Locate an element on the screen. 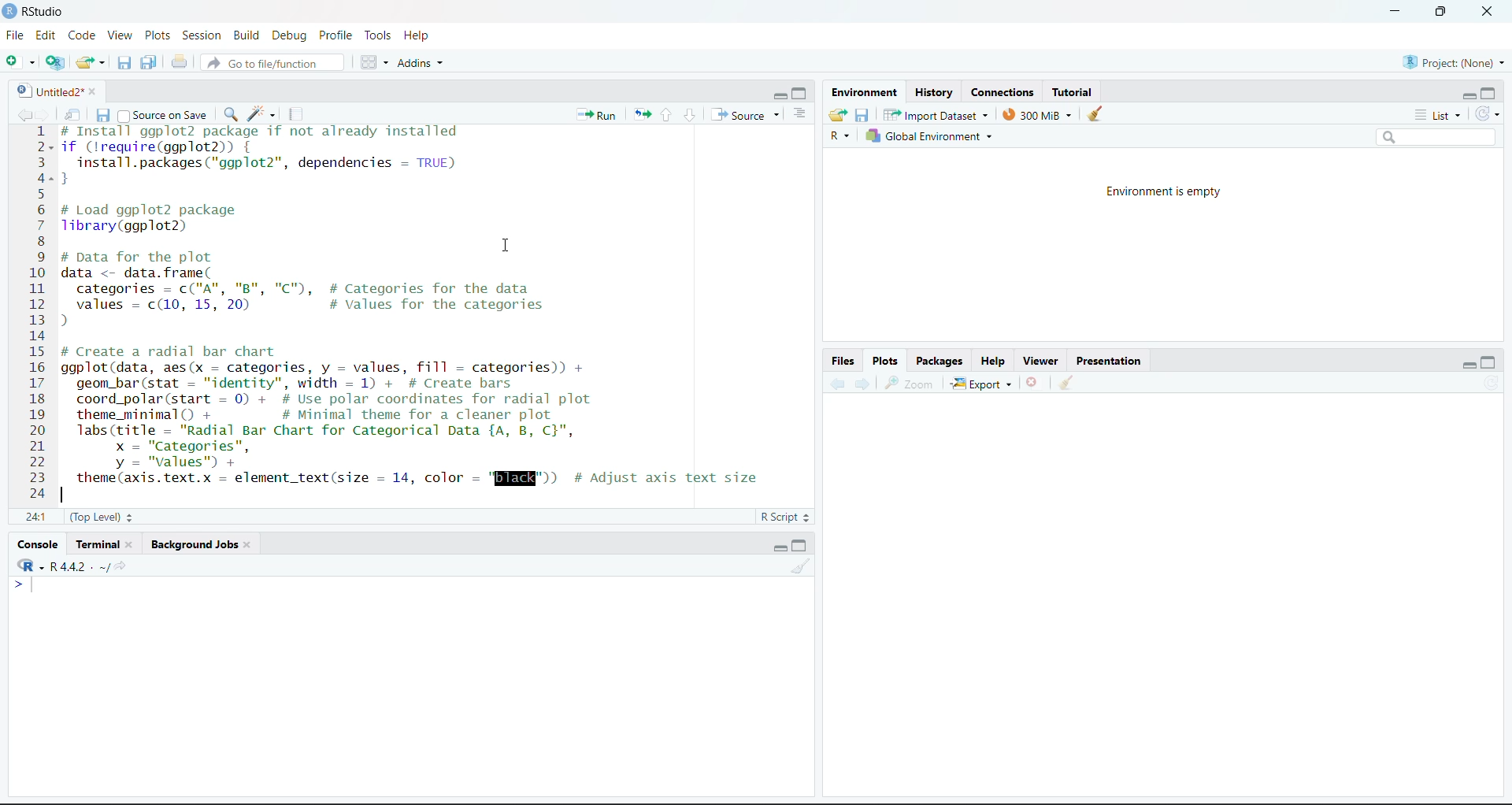  search bar is located at coordinates (1435, 136).